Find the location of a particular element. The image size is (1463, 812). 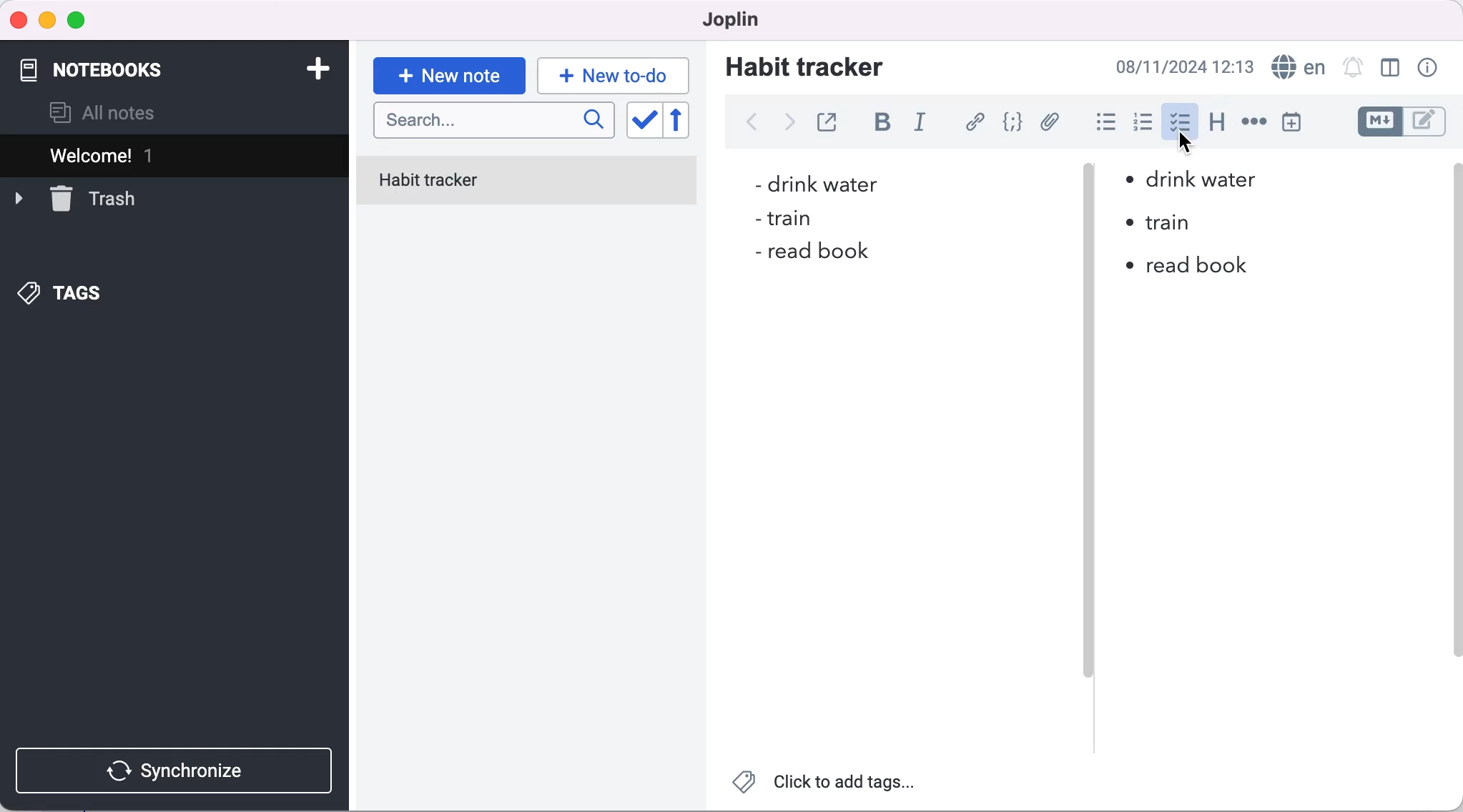

trash is located at coordinates (75, 197).